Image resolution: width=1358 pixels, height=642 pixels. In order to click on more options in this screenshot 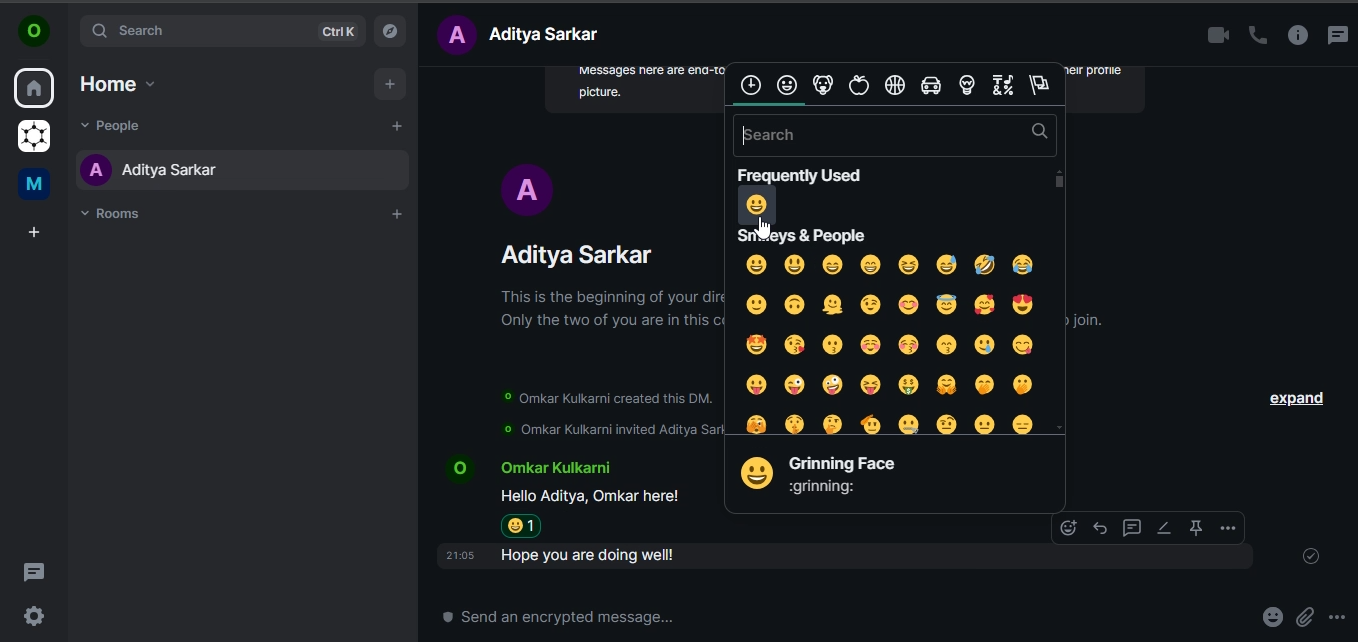, I will do `click(1338, 618)`.